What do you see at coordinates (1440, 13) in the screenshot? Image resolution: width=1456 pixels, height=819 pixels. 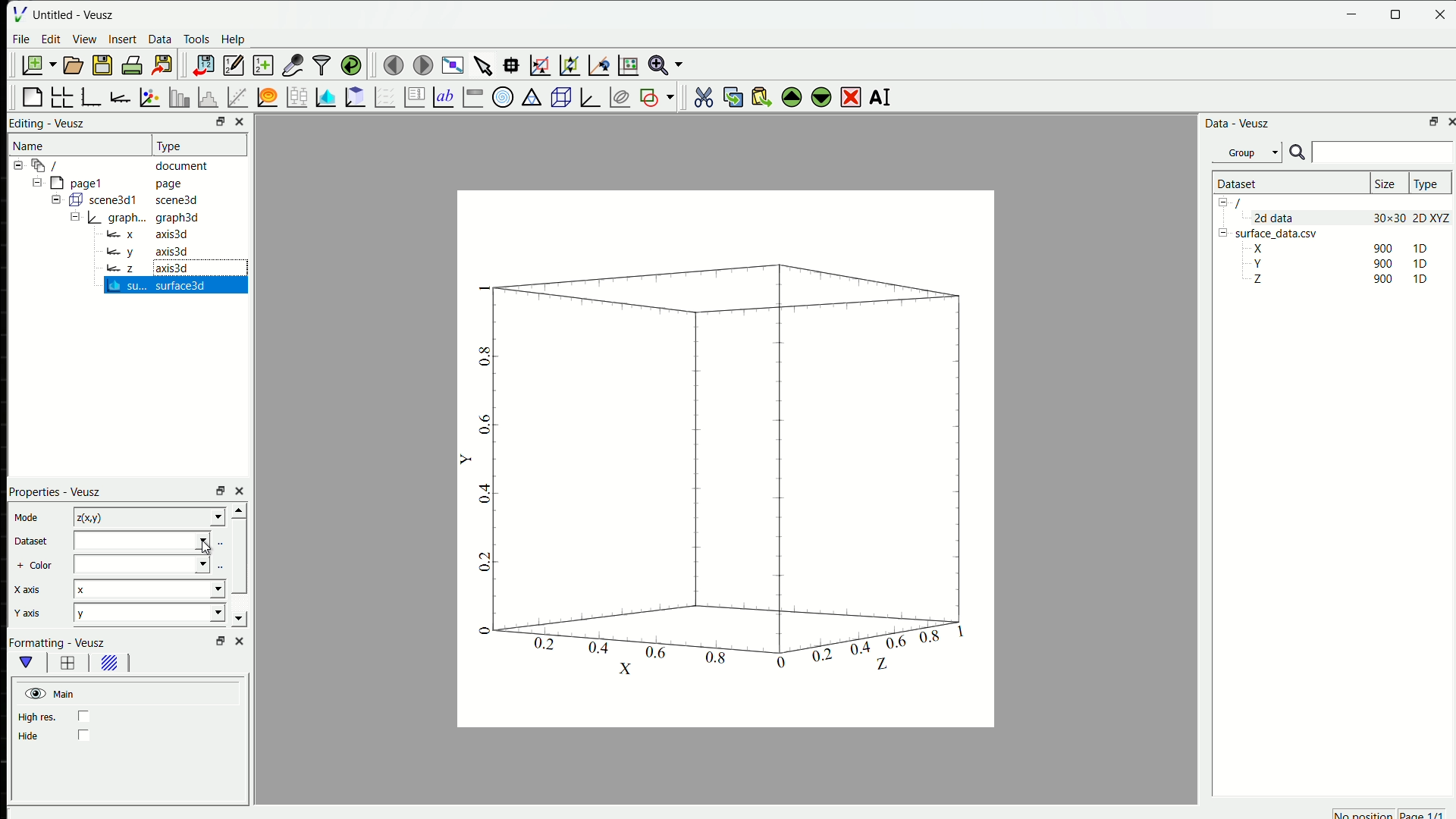 I see `close` at bounding box center [1440, 13].